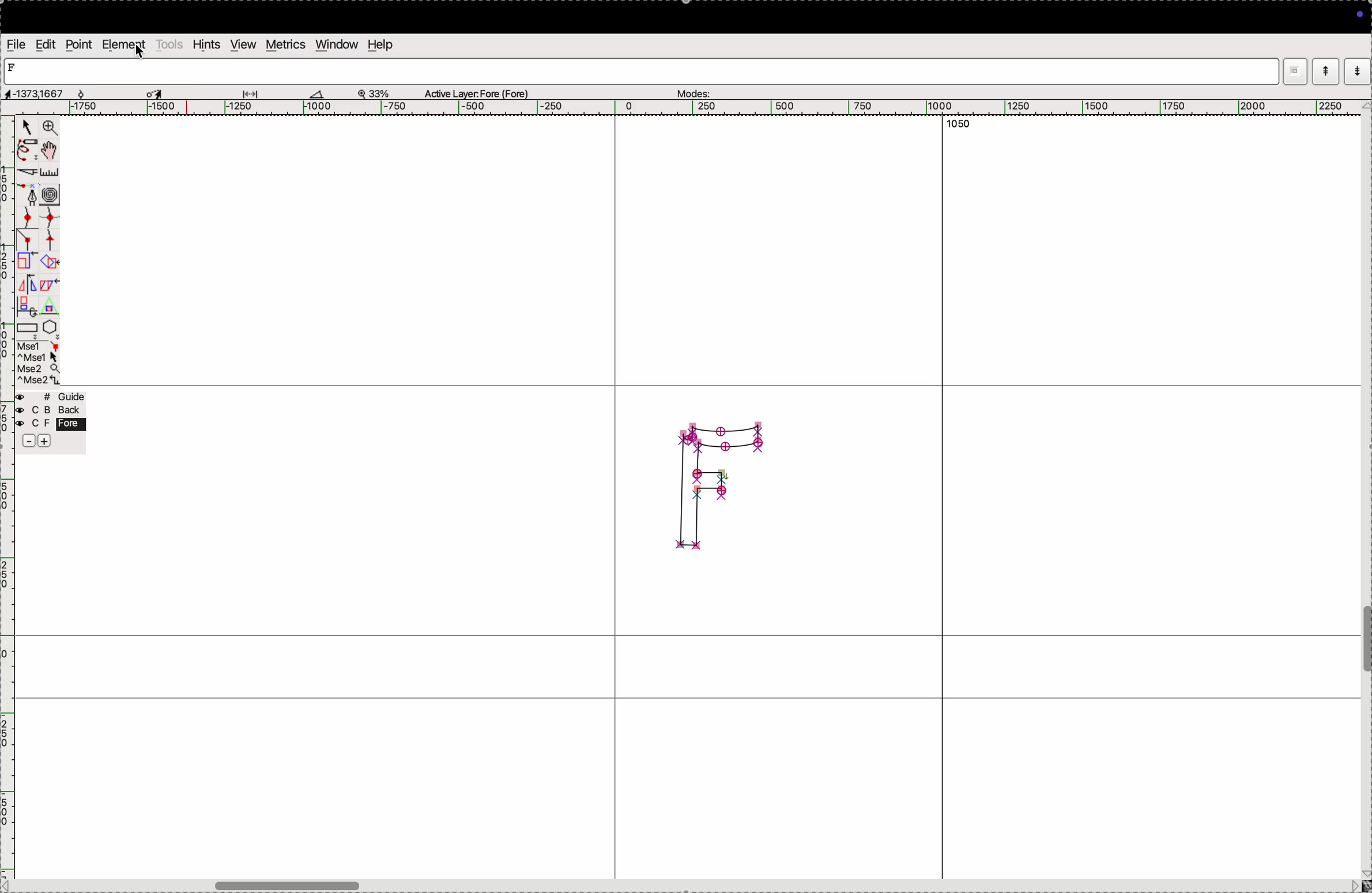 This screenshot has width=1372, height=893. Describe the element at coordinates (374, 92) in the screenshot. I see `zoom perecent` at that location.